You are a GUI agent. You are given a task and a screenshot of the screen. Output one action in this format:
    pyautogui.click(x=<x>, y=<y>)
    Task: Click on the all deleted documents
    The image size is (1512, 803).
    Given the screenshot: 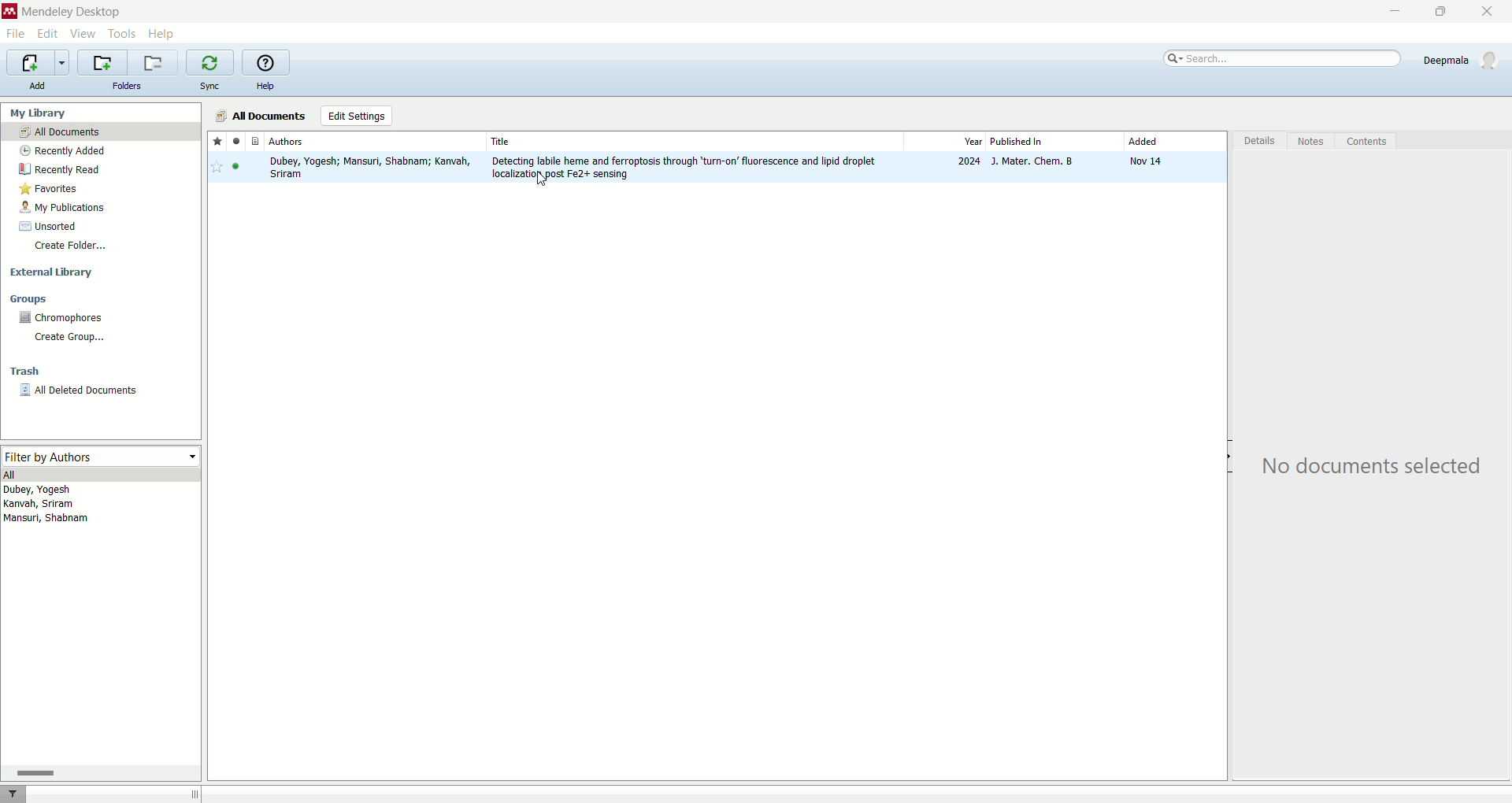 What is the action you would take?
    pyautogui.click(x=94, y=394)
    